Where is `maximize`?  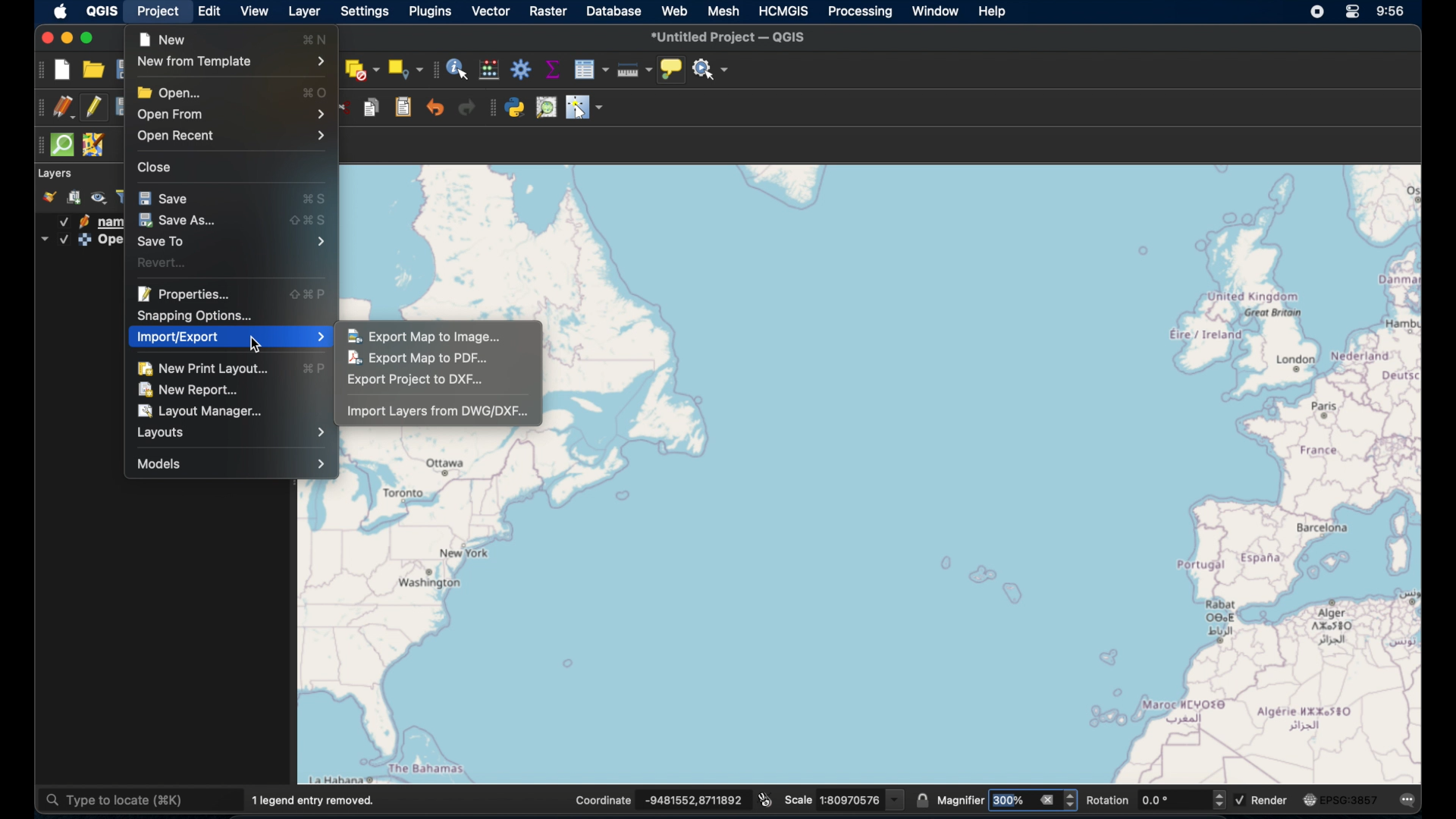
maximize is located at coordinates (90, 39).